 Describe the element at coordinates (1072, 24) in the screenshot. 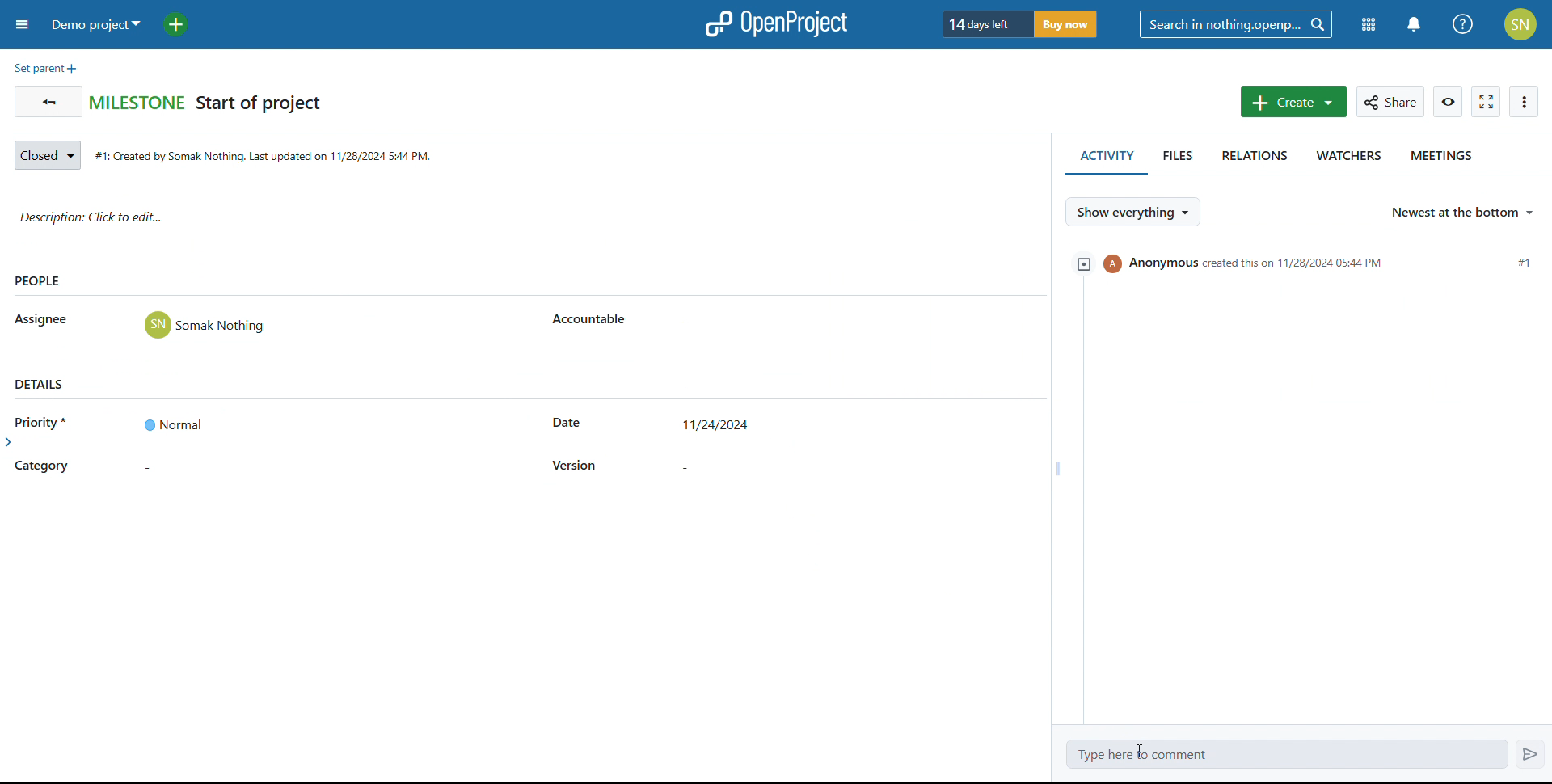

I see `buy now` at that location.